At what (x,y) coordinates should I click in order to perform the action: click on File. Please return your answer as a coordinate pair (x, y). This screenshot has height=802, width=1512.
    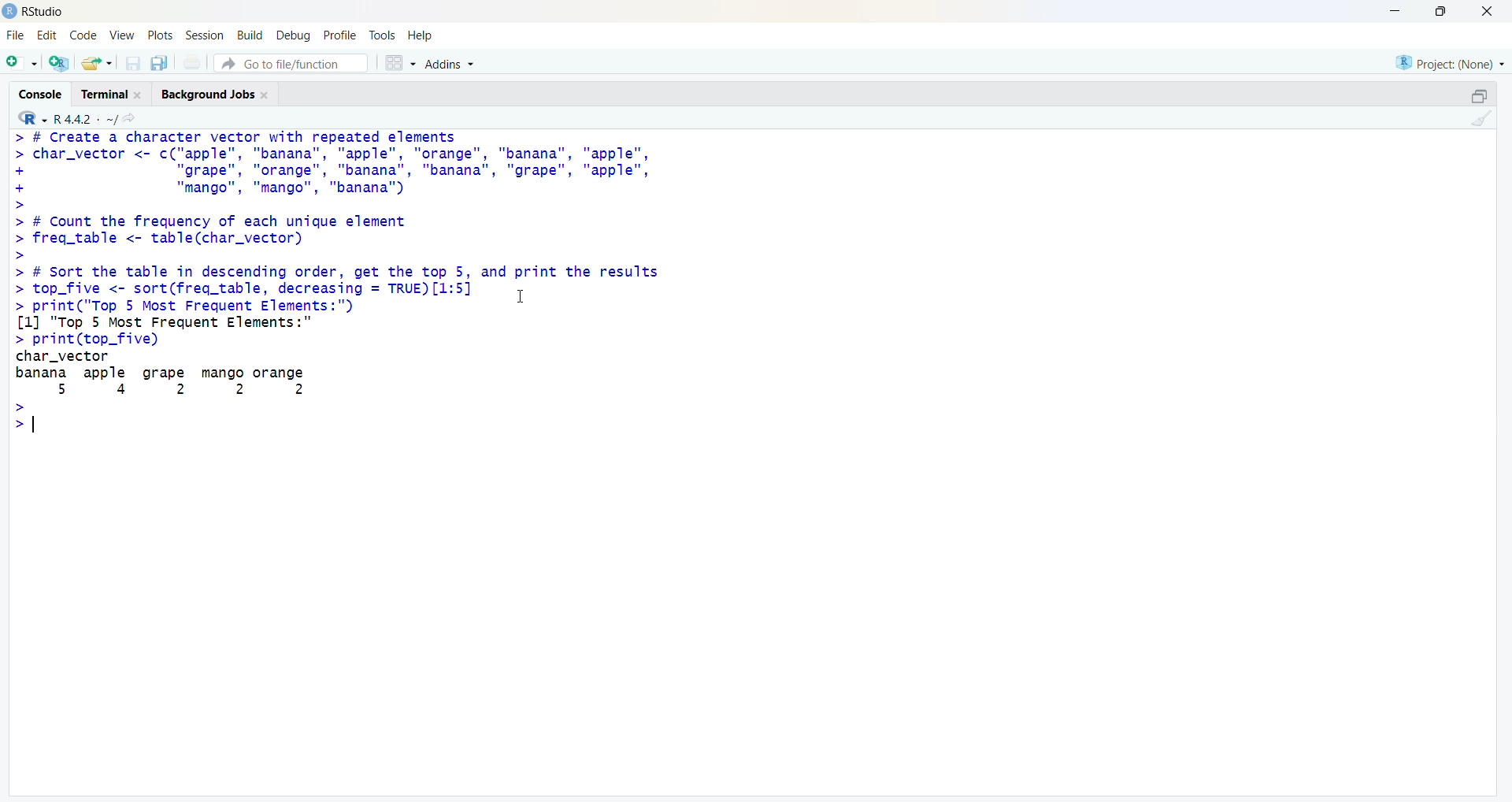
    Looking at the image, I should click on (14, 35).